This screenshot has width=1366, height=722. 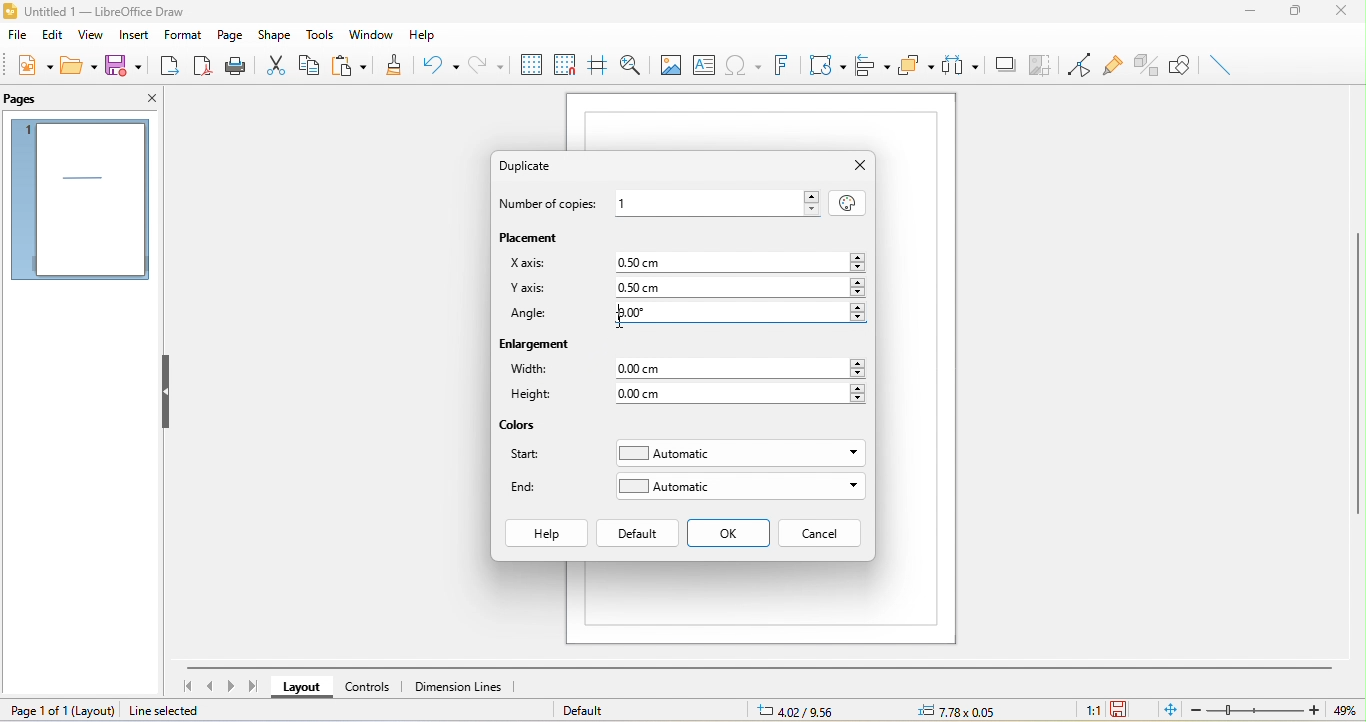 I want to click on maximize, so click(x=1297, y=14).